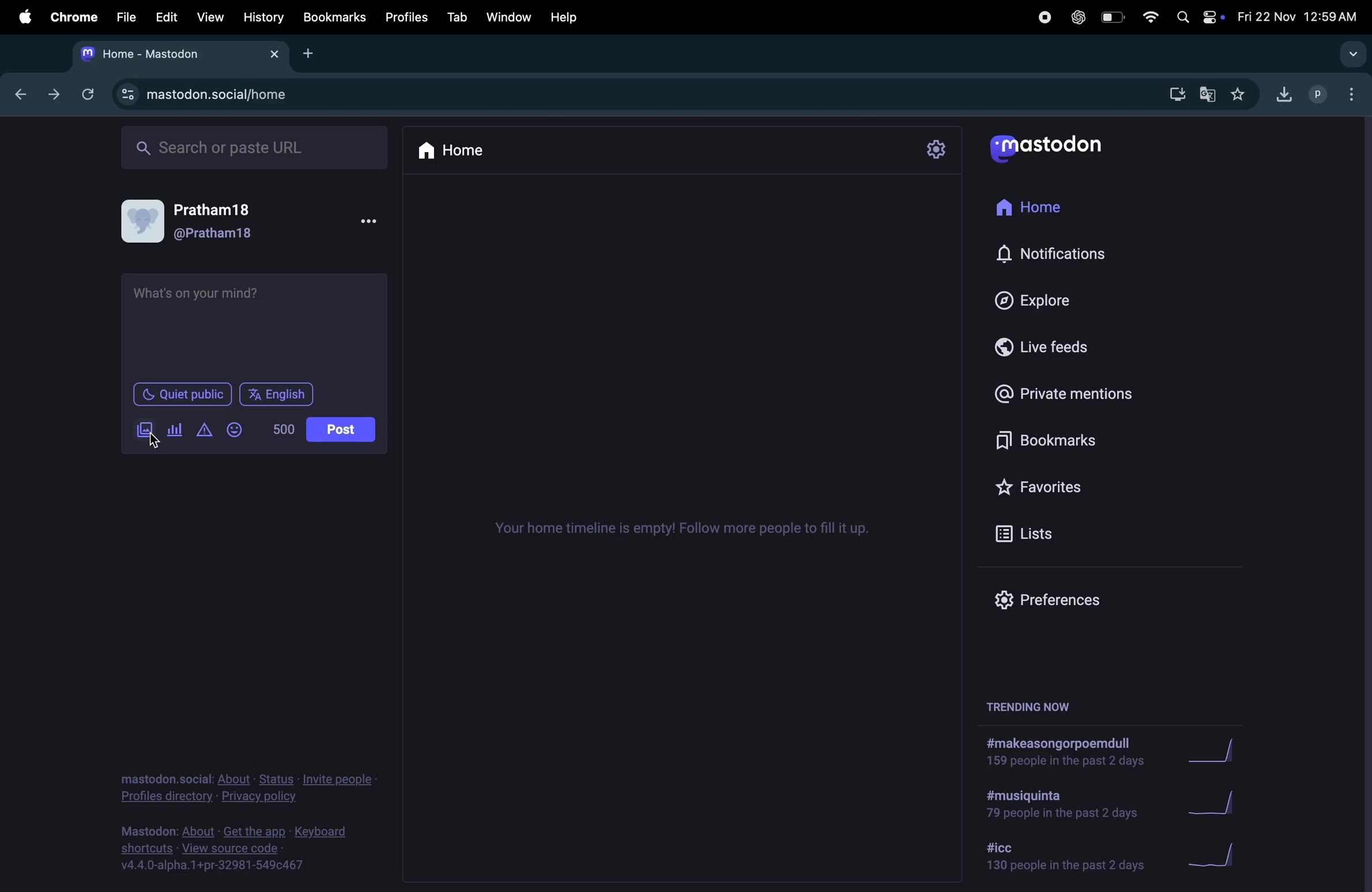 The width and height of the screenshot is (1372, 892). What do you see at coordinates (166, 17) in the screenshot?
I see `edit` at bounding box center [166, 17].